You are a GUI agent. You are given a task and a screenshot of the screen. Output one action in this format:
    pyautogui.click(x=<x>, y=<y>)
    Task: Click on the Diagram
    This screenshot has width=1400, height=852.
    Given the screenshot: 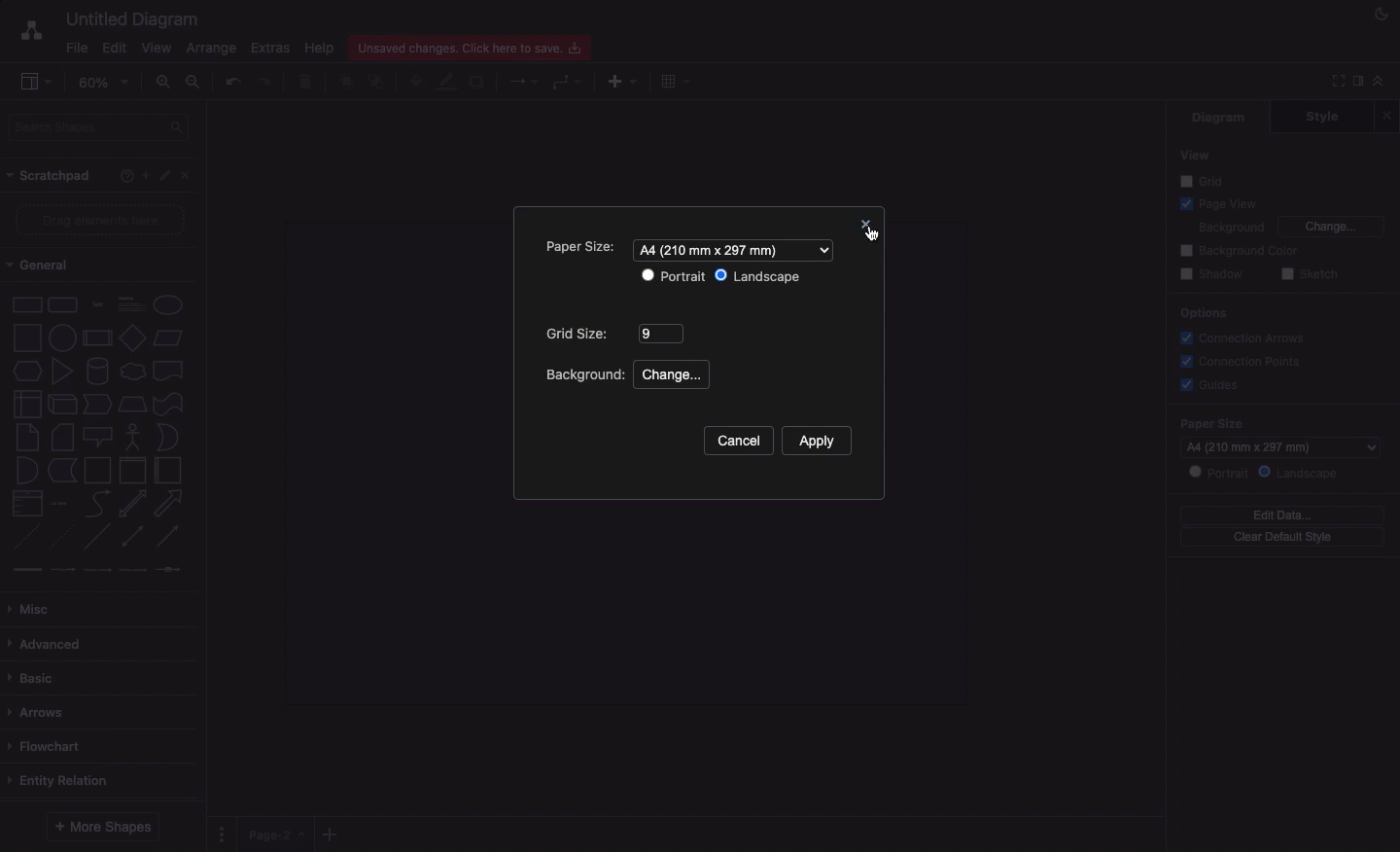 What is the action you would take?
    pyautogui.click(x=1220, y=118)
    